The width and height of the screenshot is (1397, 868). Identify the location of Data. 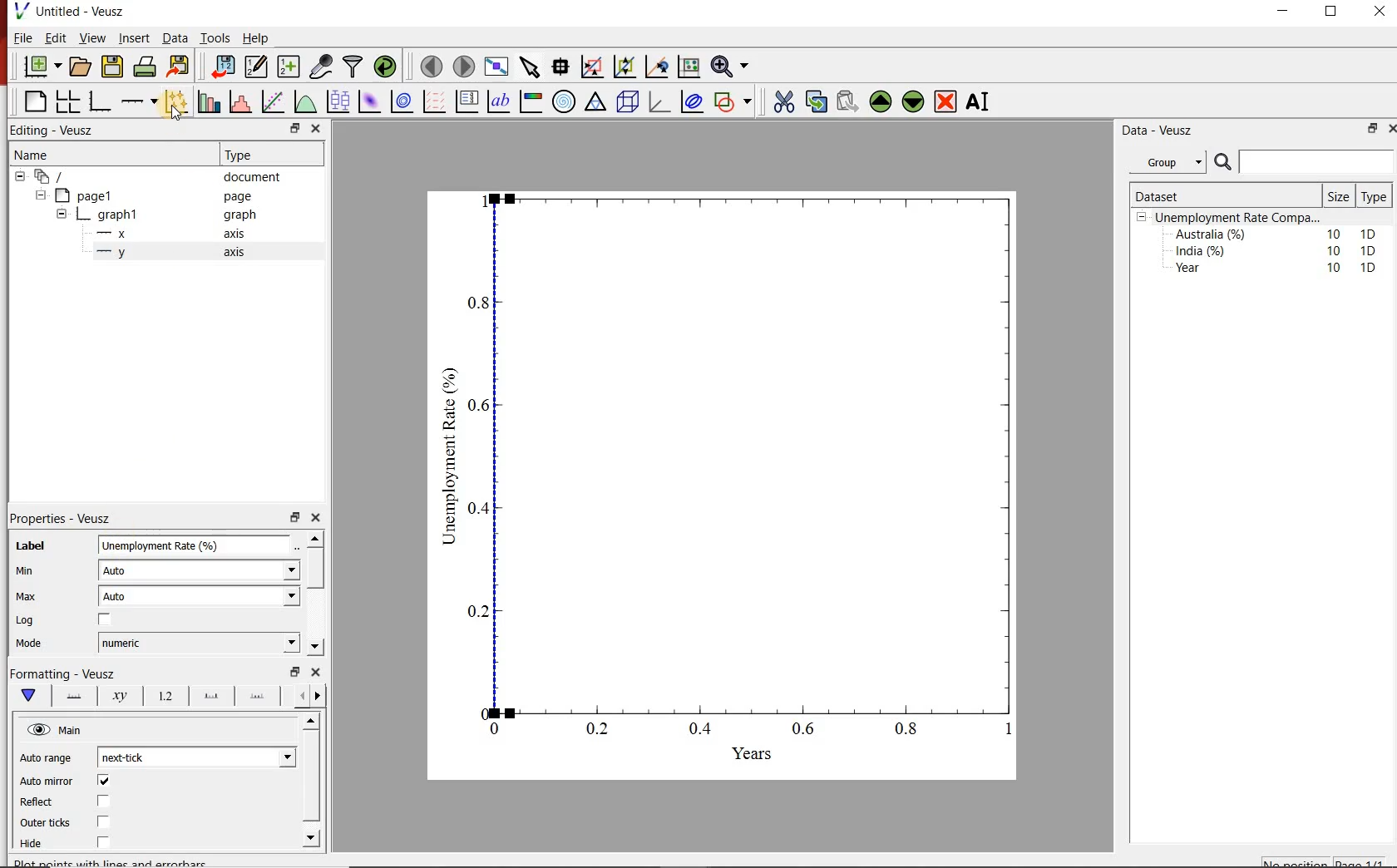
(175, 38).